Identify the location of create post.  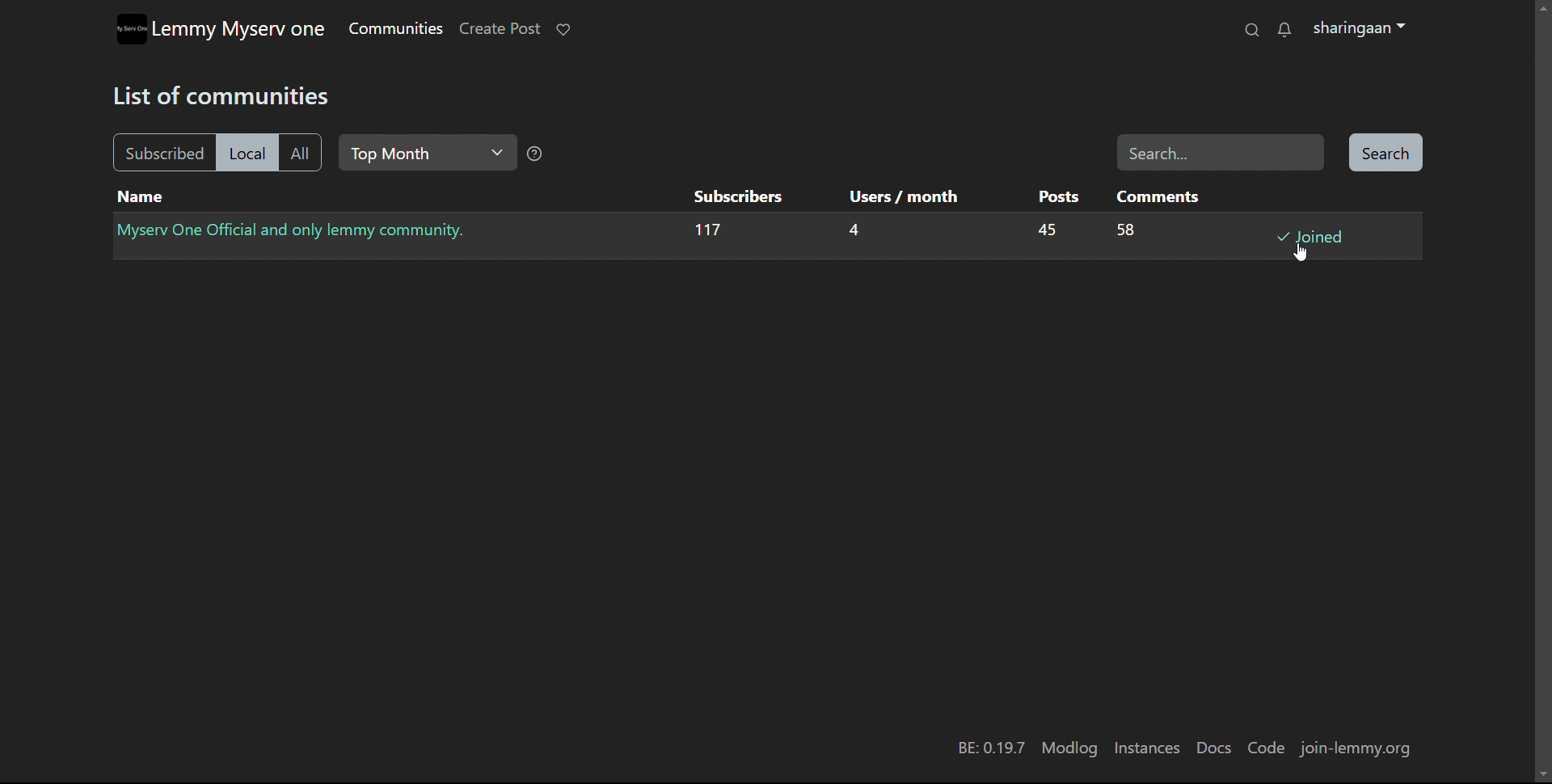
(499, 29).